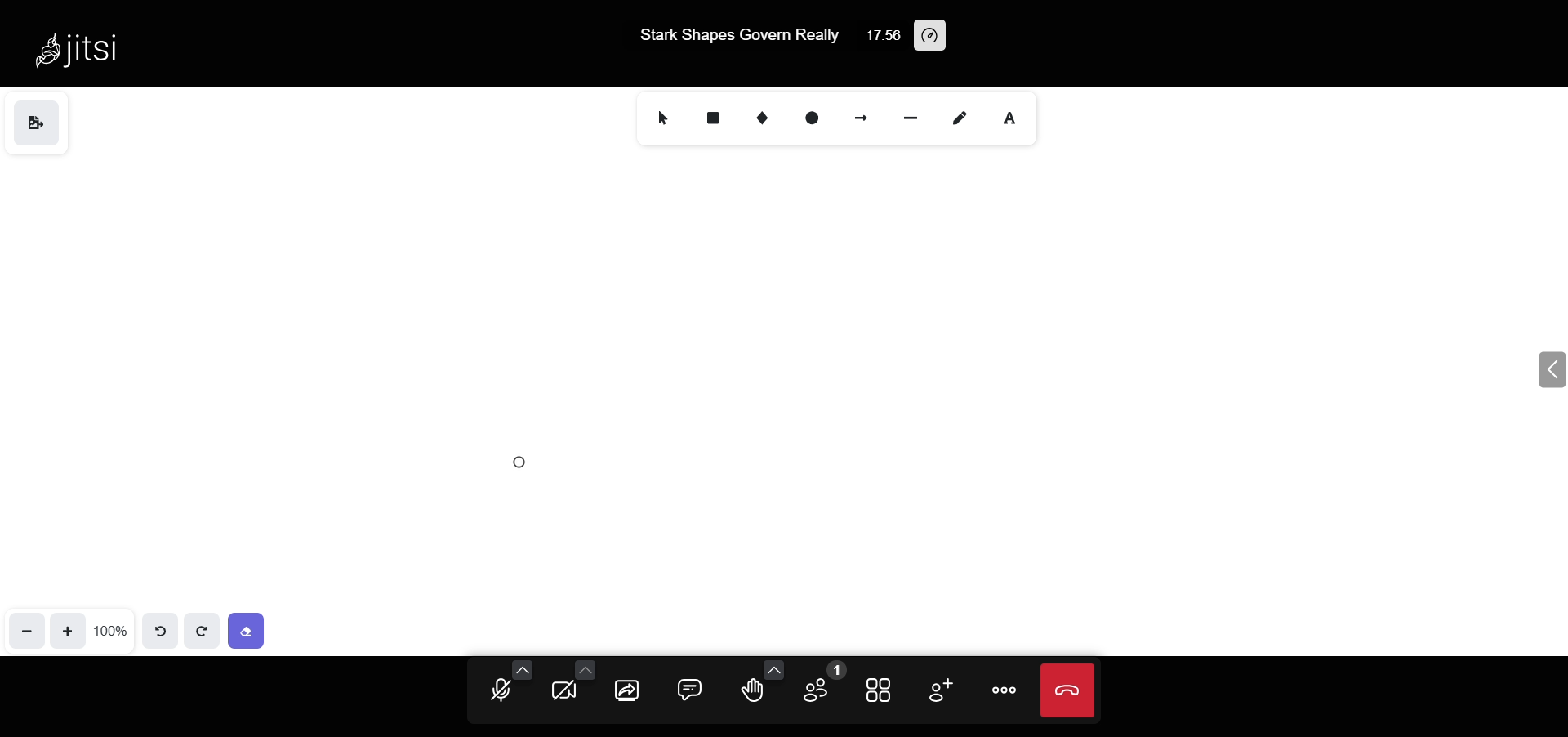  What do you see at coordinates (661, 119) in the screenshot?
I see `select` at bounding box center [661, 119].